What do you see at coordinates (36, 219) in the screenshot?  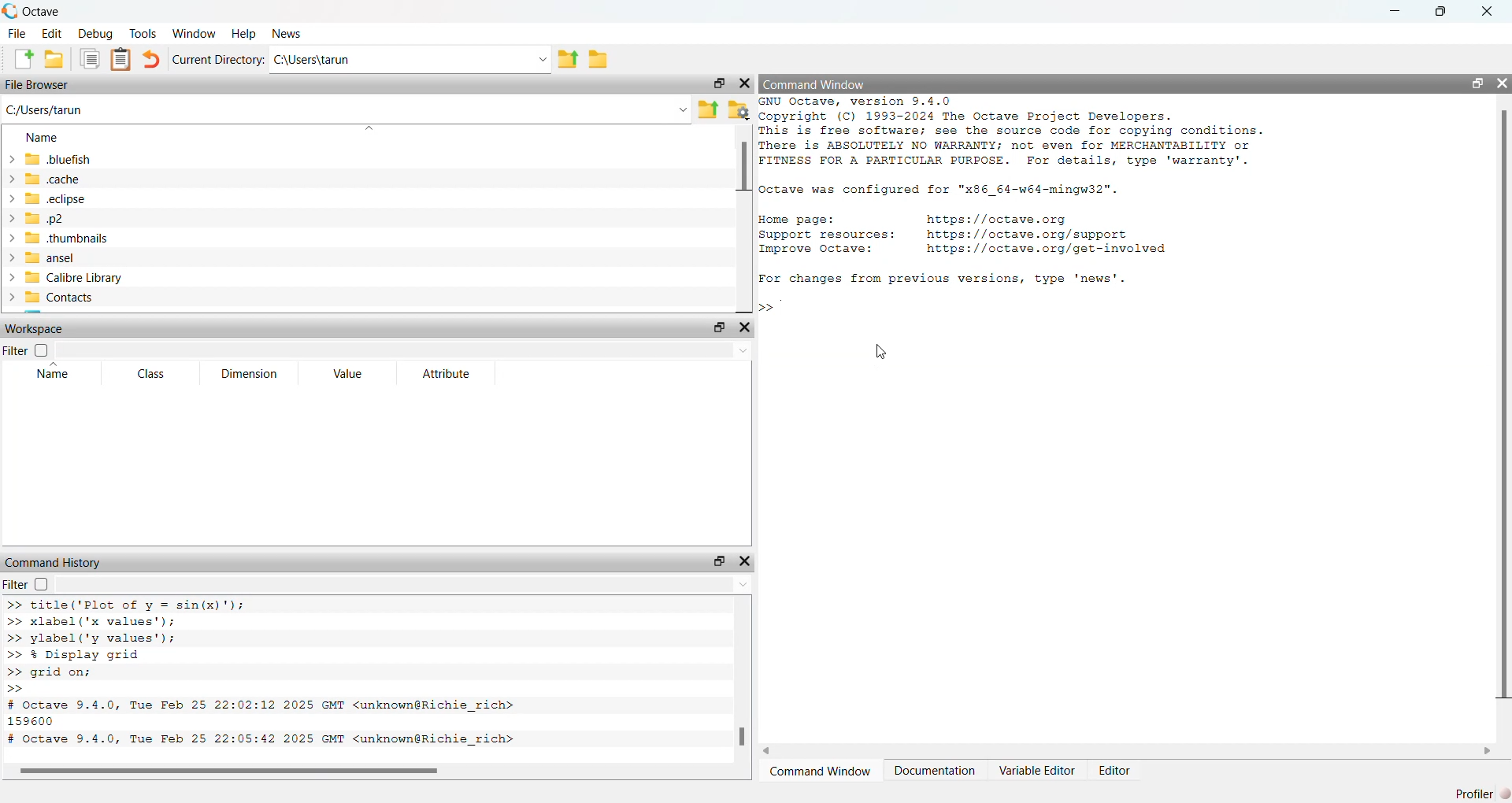 I see `.p2` at bounding box center [36, 219].